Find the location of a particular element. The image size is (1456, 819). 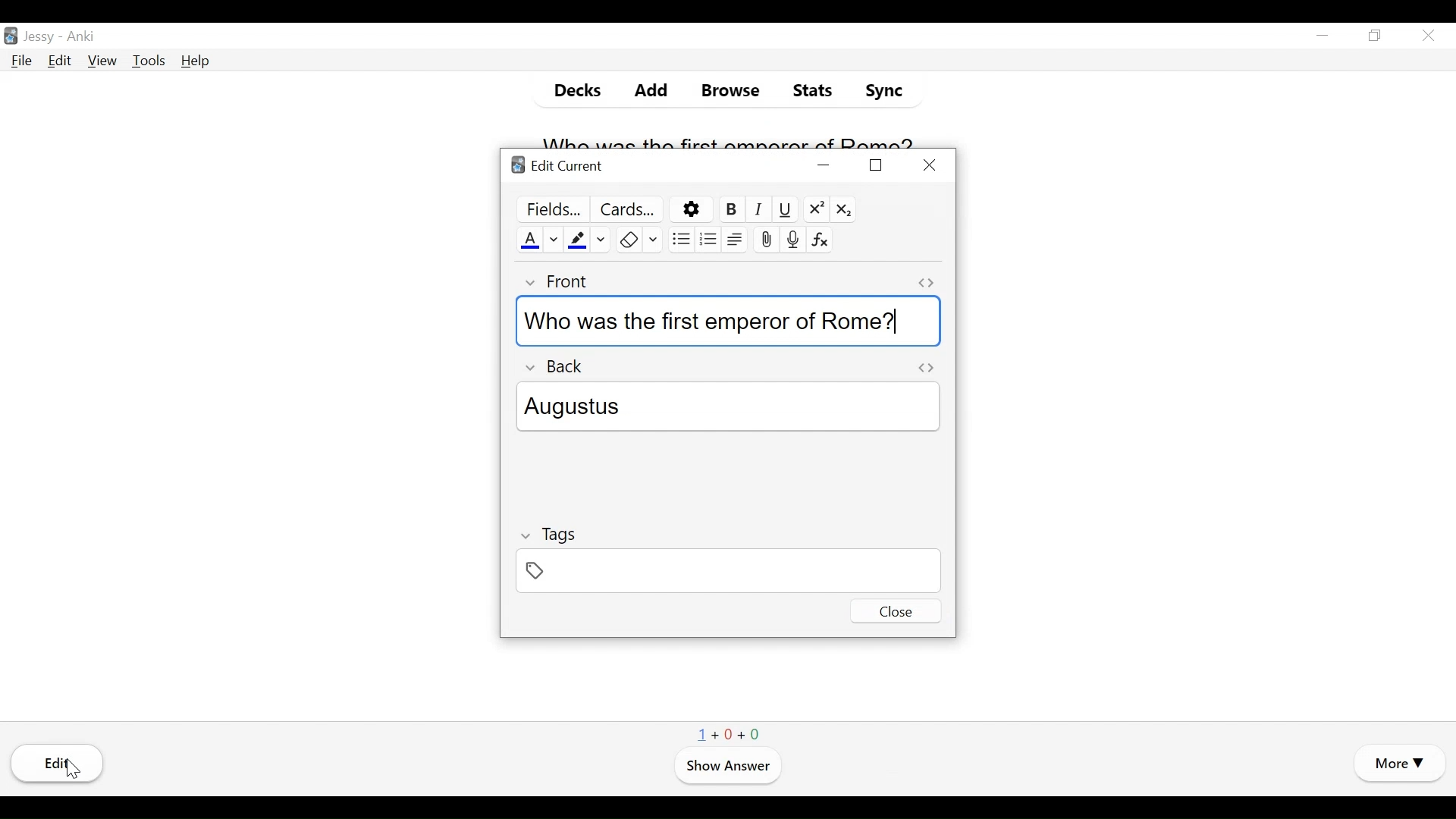

Select Formatting to Remove is located at coordinates (653, 240).